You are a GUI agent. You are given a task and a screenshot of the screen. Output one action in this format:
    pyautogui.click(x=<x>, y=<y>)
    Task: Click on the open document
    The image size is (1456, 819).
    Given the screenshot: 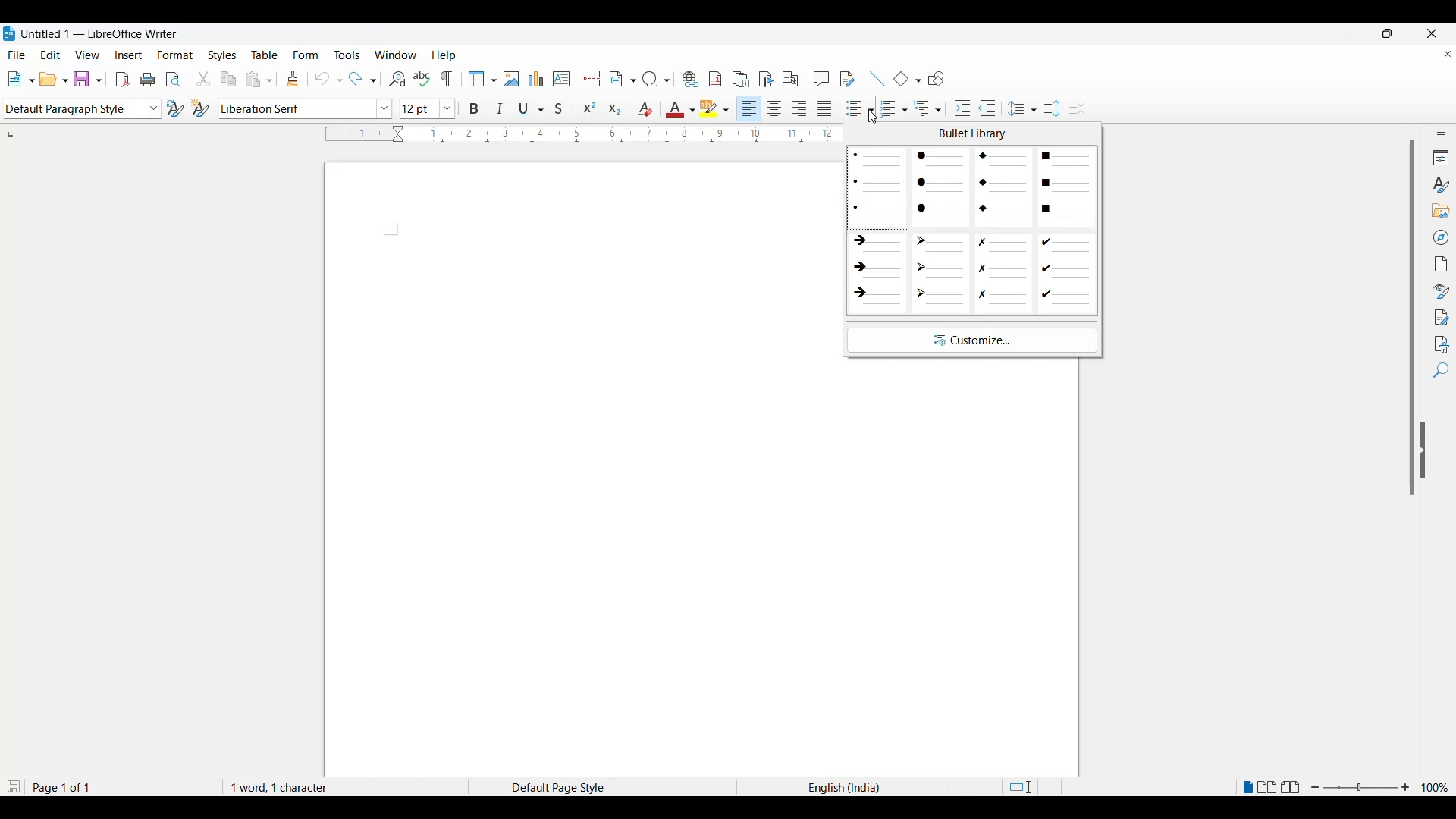 What is the action you would take?
    pyautogui.click(x=54, y=78)
    